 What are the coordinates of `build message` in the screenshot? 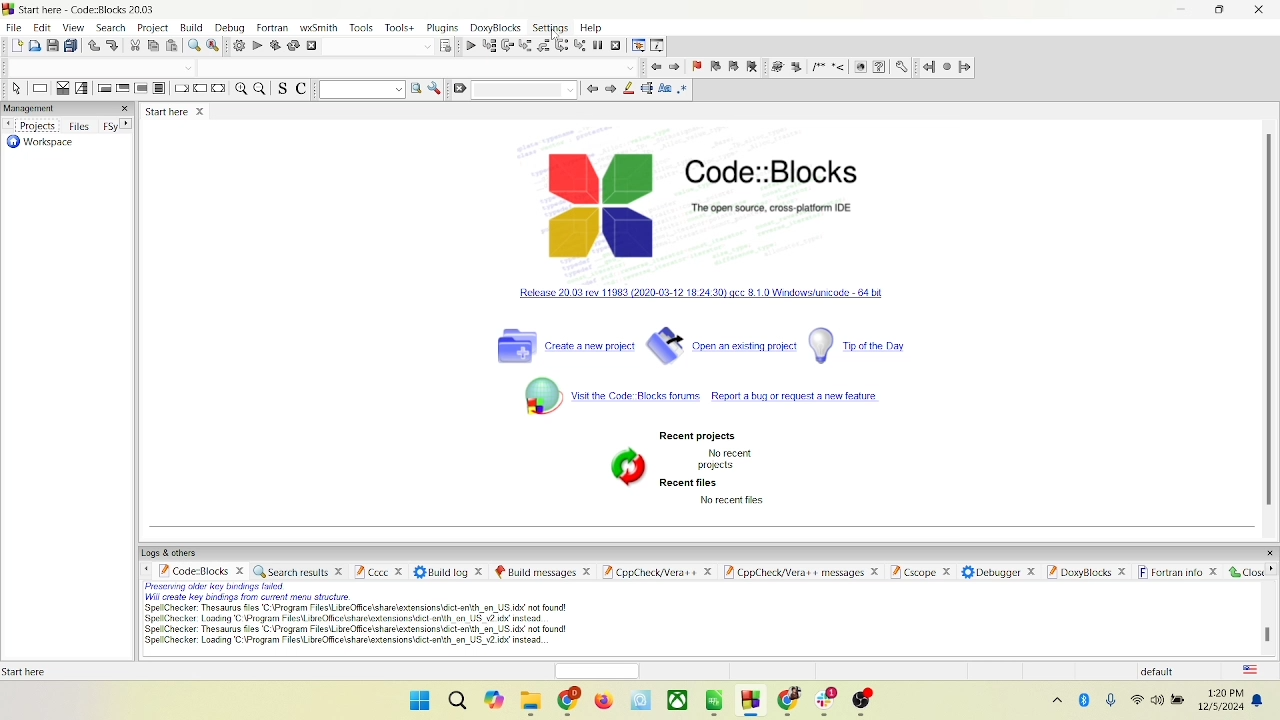 It's located at (541, 570).